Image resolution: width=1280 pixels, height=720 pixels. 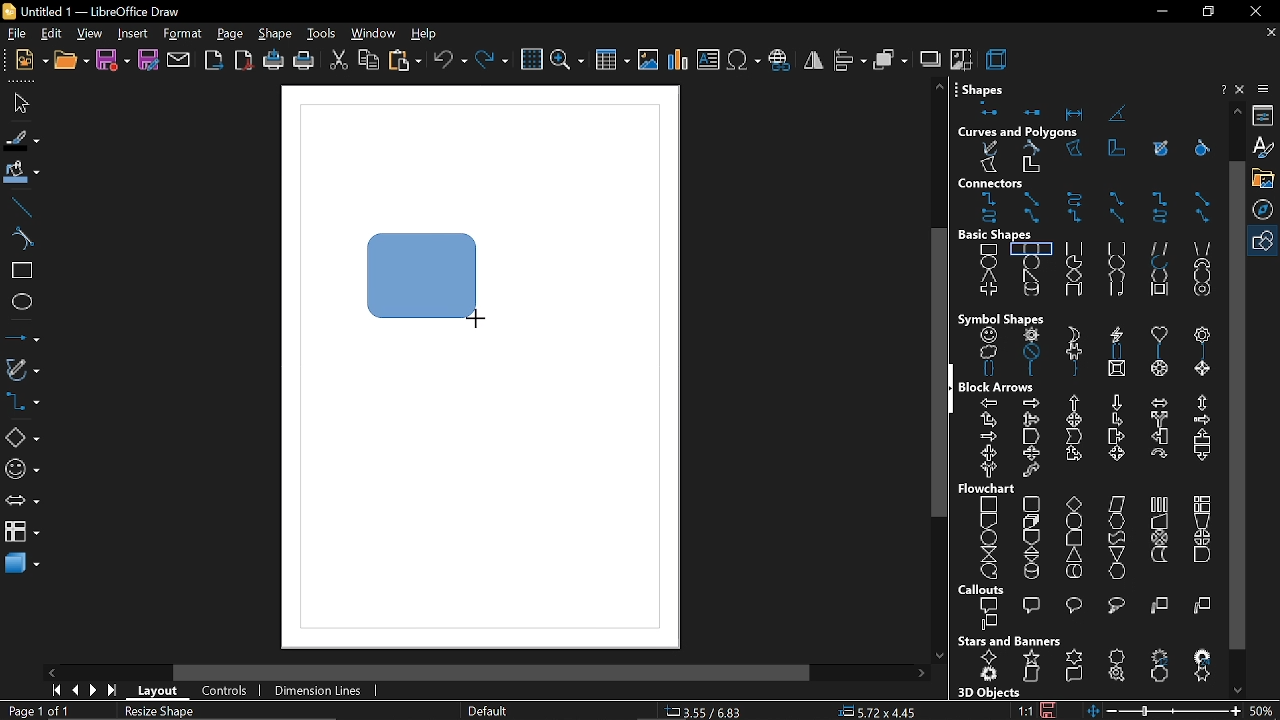 What do you see at coordinates (1000, 387) in the screenshot?
I see `block arrows` at bounding box center [1000, 387].